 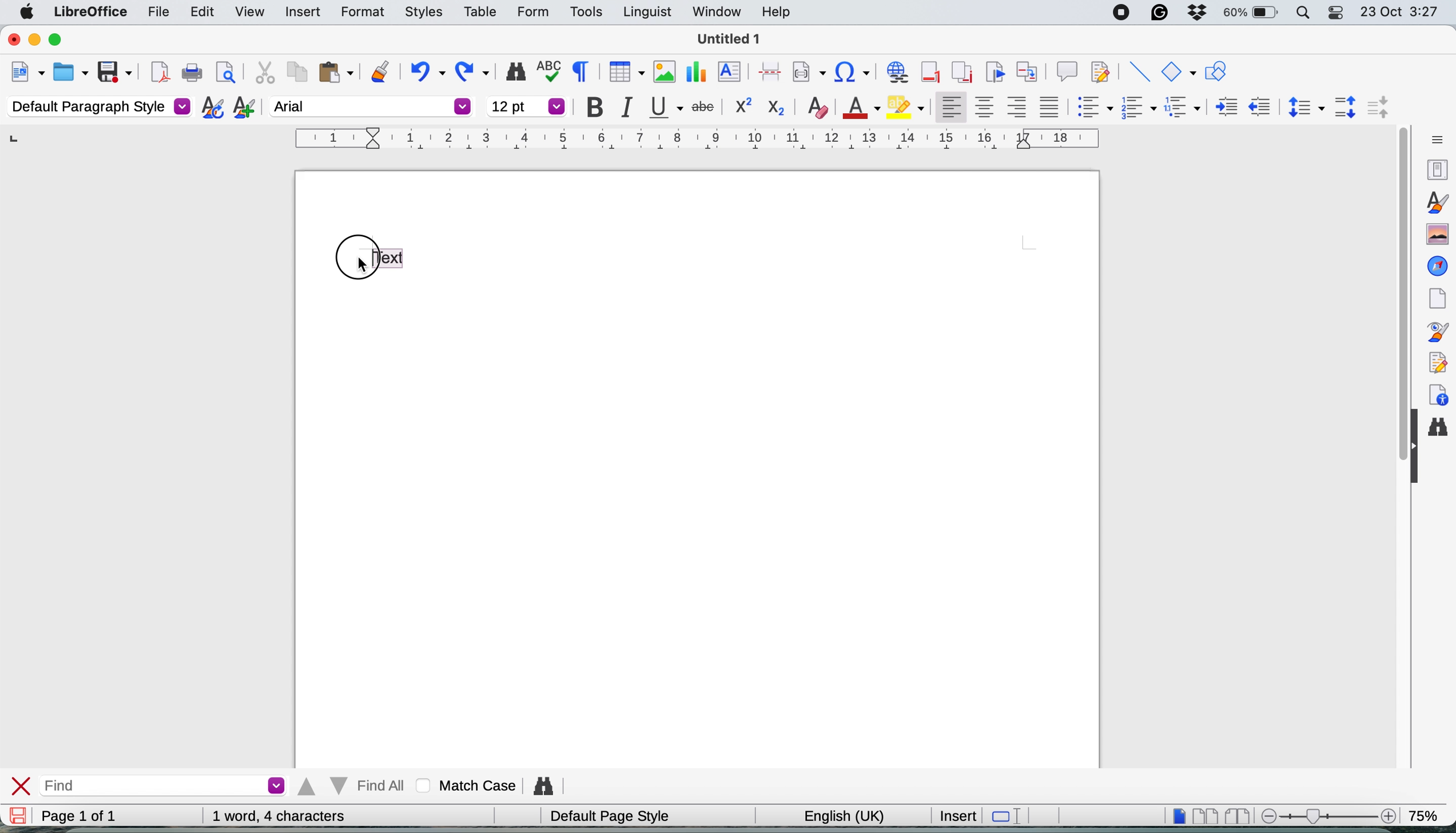 What do you see at coordinates (590, 105) in the screenshot?
I see `bold` at bounding box center [590, 105].